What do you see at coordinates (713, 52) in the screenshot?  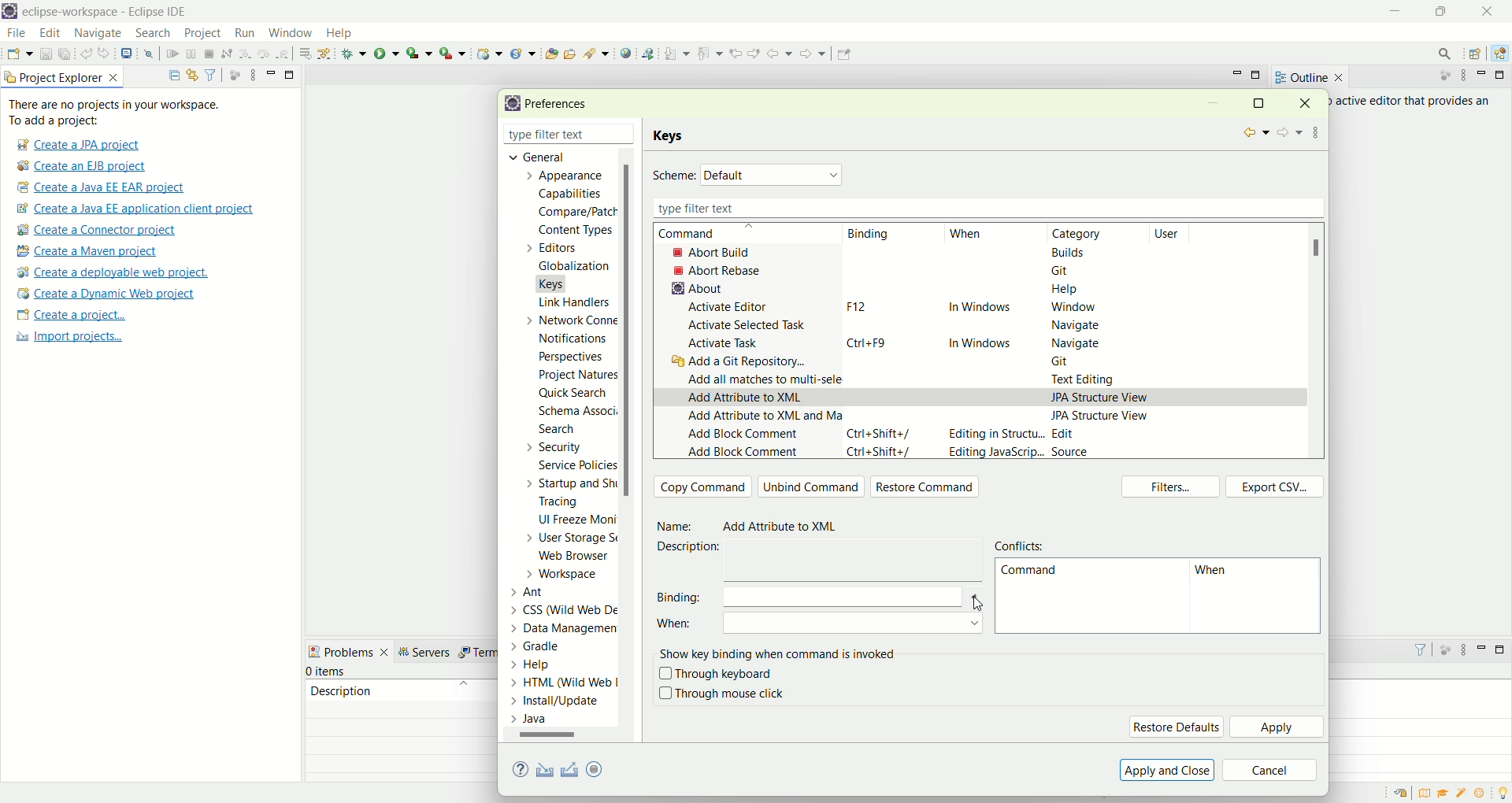 I see `previous annotation` at bounding box center [713, 52].